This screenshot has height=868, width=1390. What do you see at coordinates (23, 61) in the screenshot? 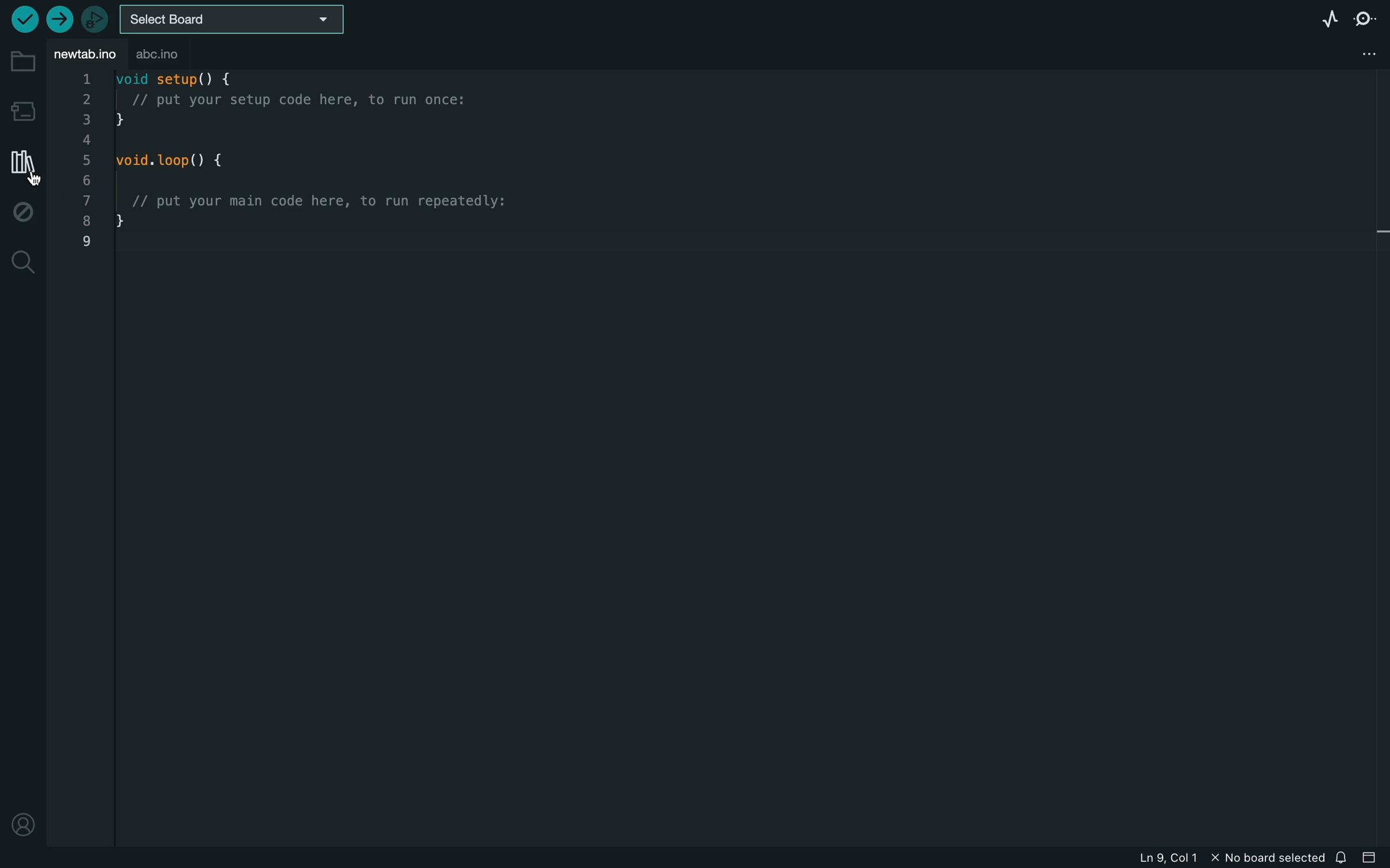
I see `folder` at bounding box center [23, 61].